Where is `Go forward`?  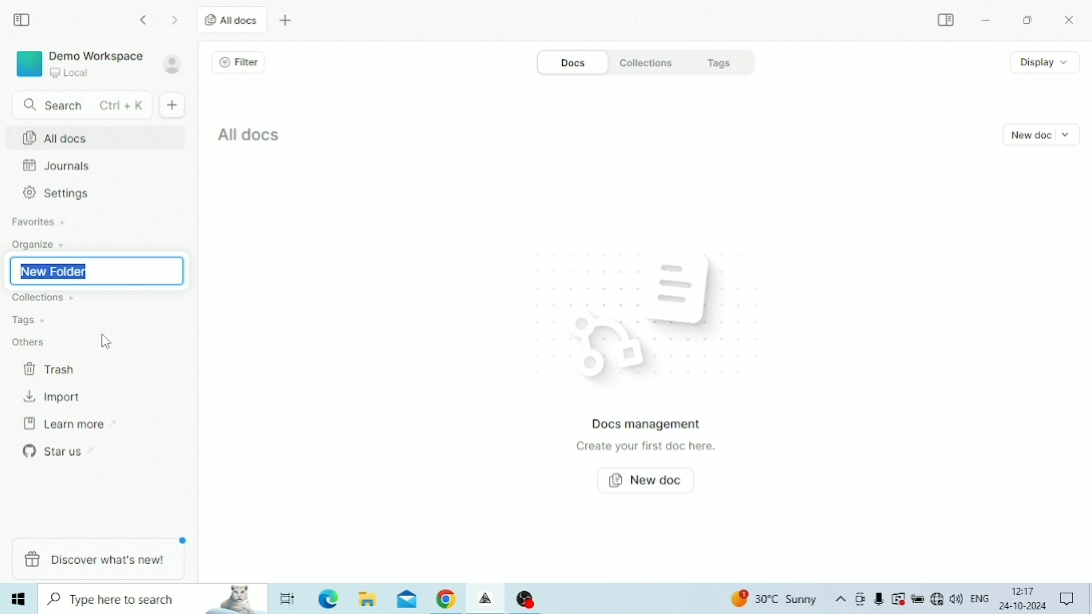 Go forward is located at coordinates (176, 20).